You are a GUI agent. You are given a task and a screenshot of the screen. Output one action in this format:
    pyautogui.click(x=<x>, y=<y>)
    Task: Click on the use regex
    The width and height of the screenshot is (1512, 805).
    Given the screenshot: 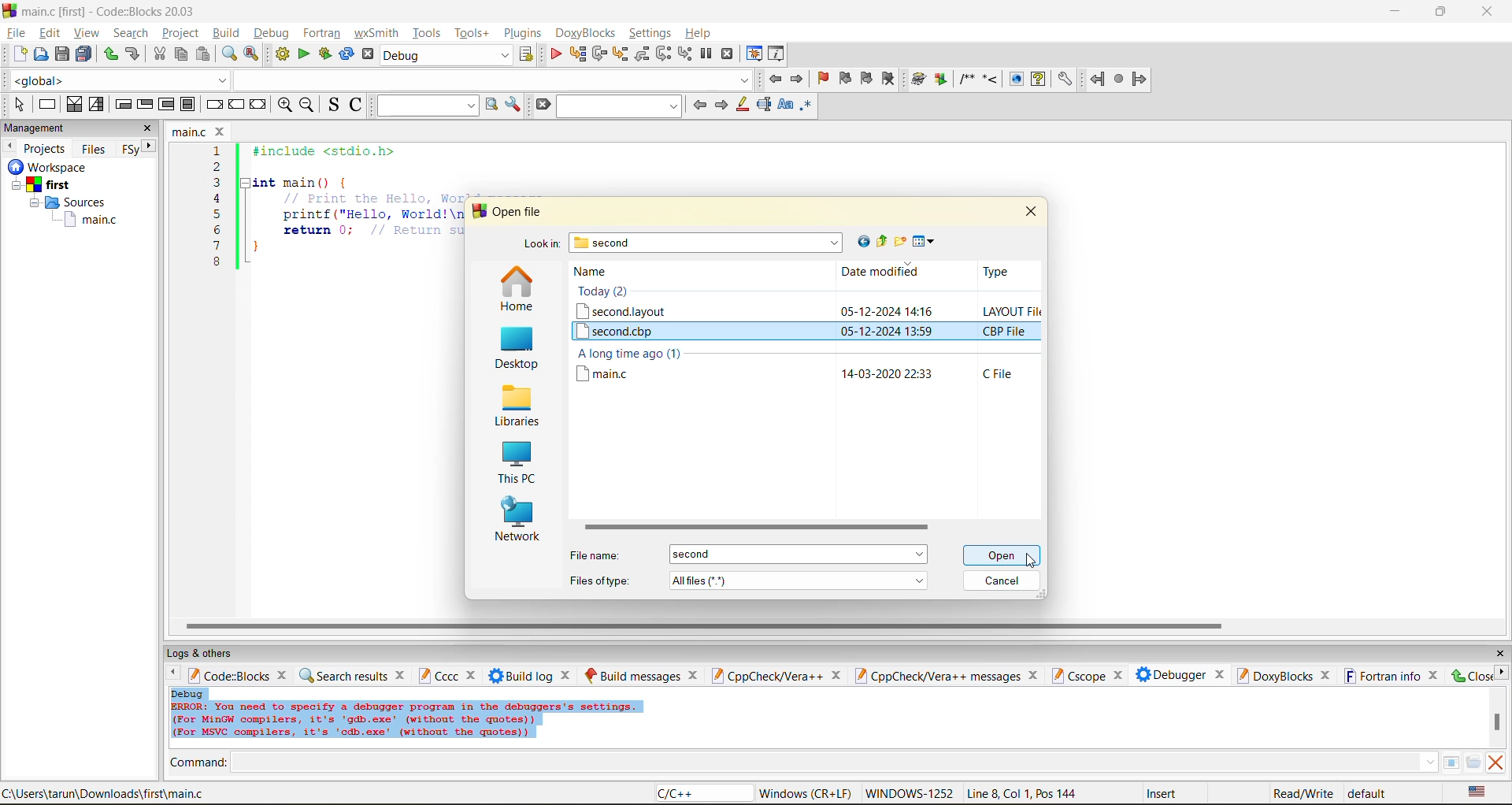 What is the action you would take?
    pyautogui.click(x=806, y=108)
    